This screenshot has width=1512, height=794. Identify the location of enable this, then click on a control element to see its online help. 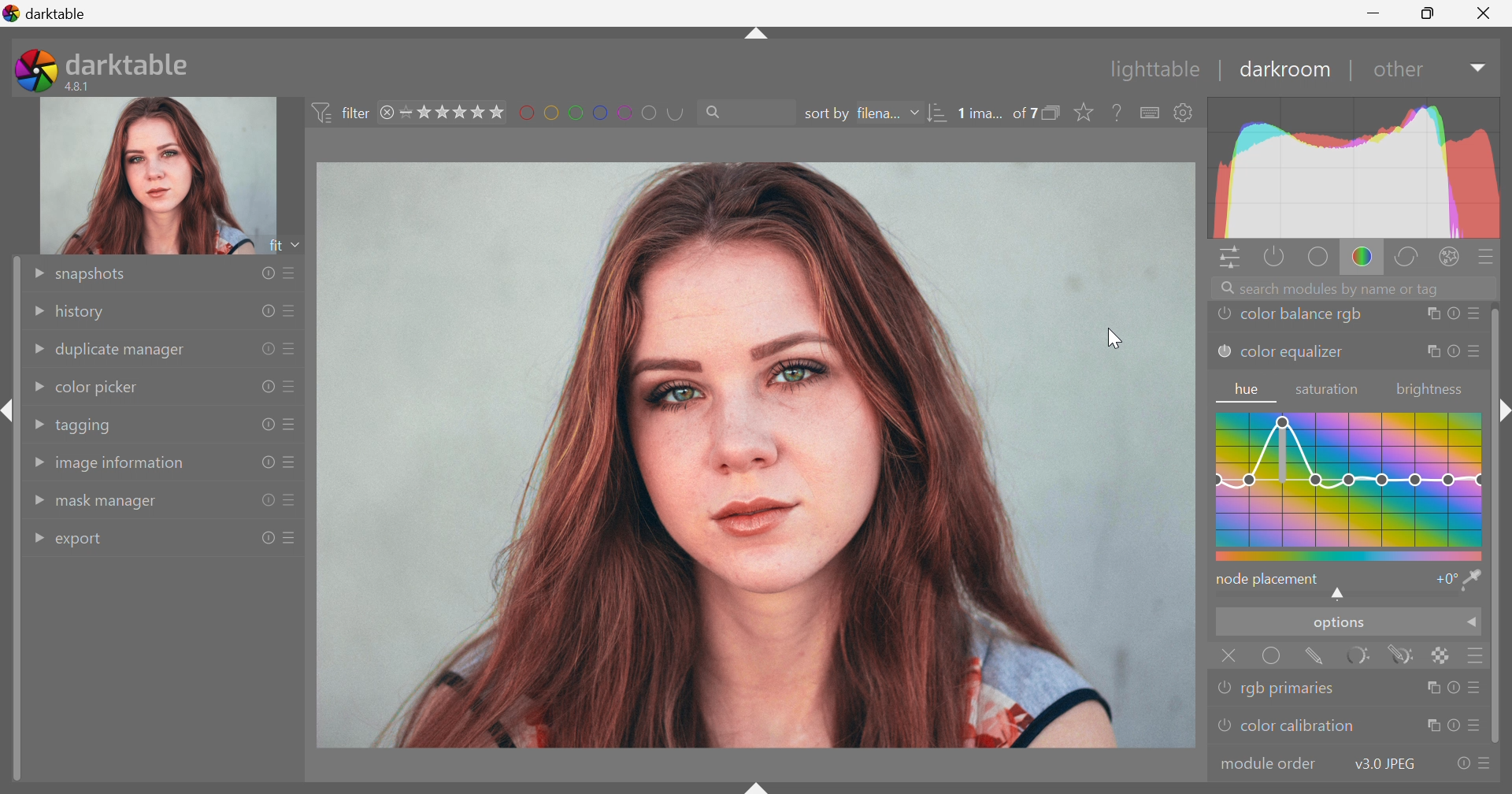
(1118, 112).